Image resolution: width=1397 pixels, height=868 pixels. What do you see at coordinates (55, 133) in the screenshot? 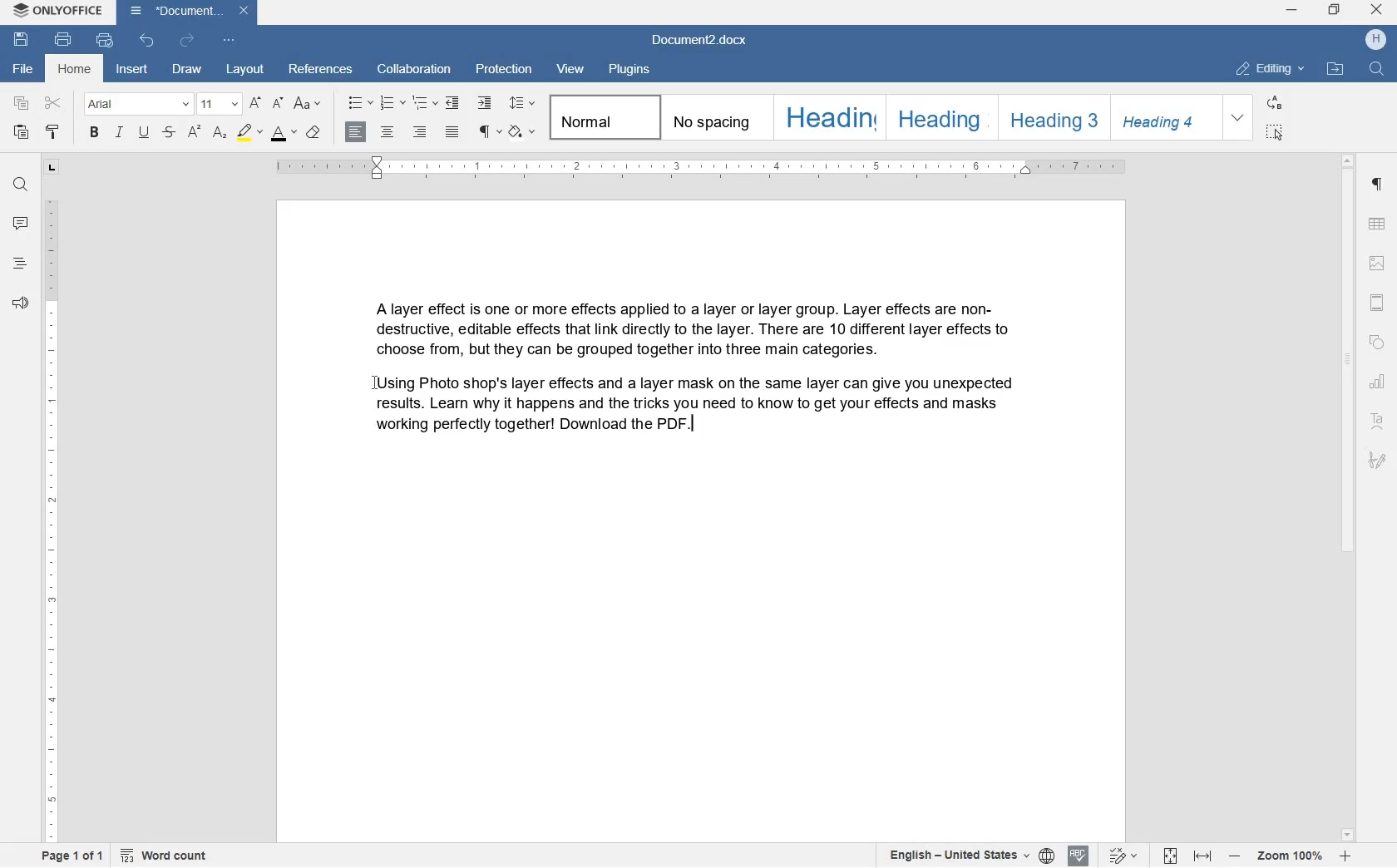
I see `COPY STYLE` at bounding box center [55, 133].